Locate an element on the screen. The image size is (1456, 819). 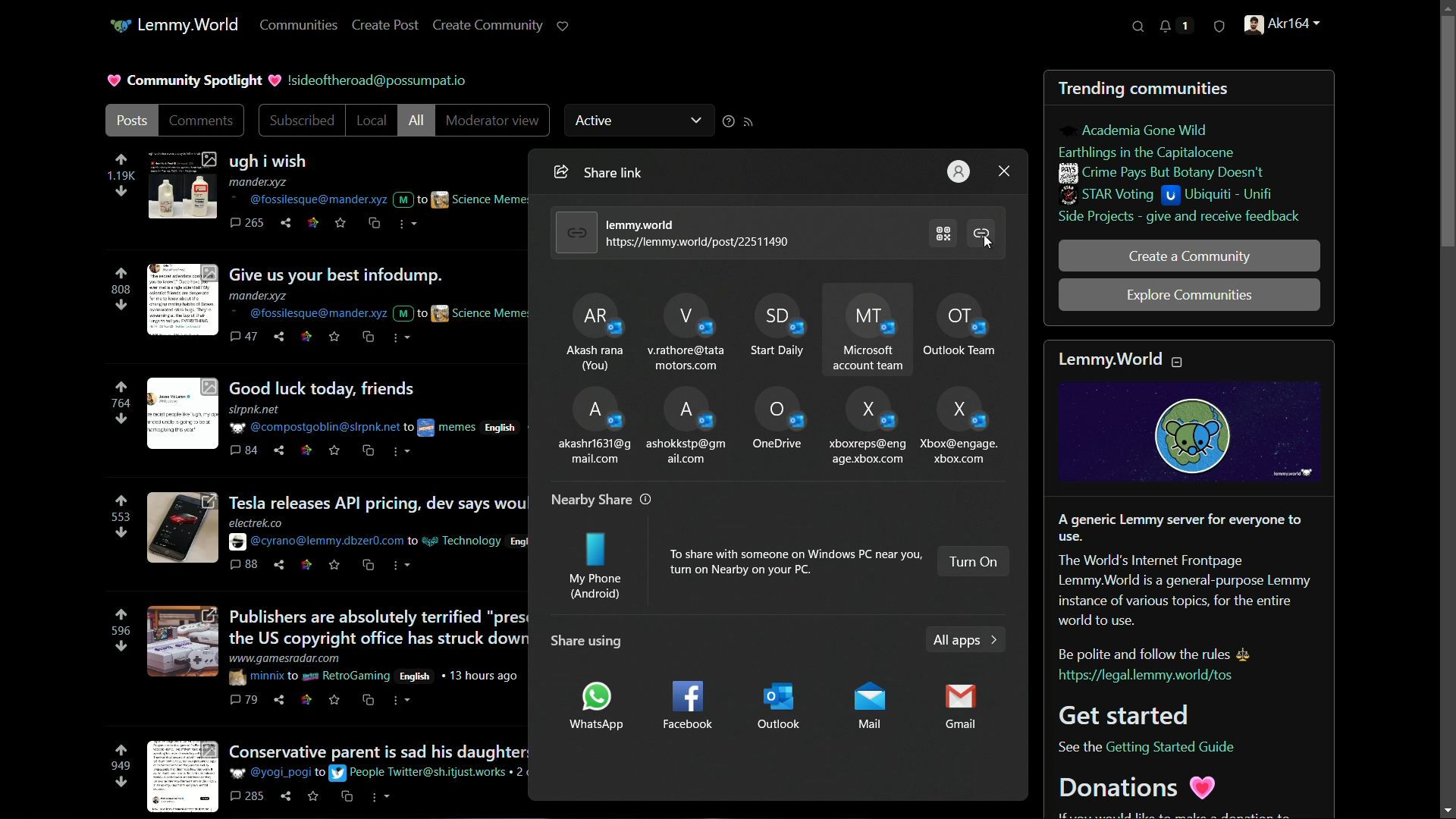
logo is located at coordinates (1191, 432).